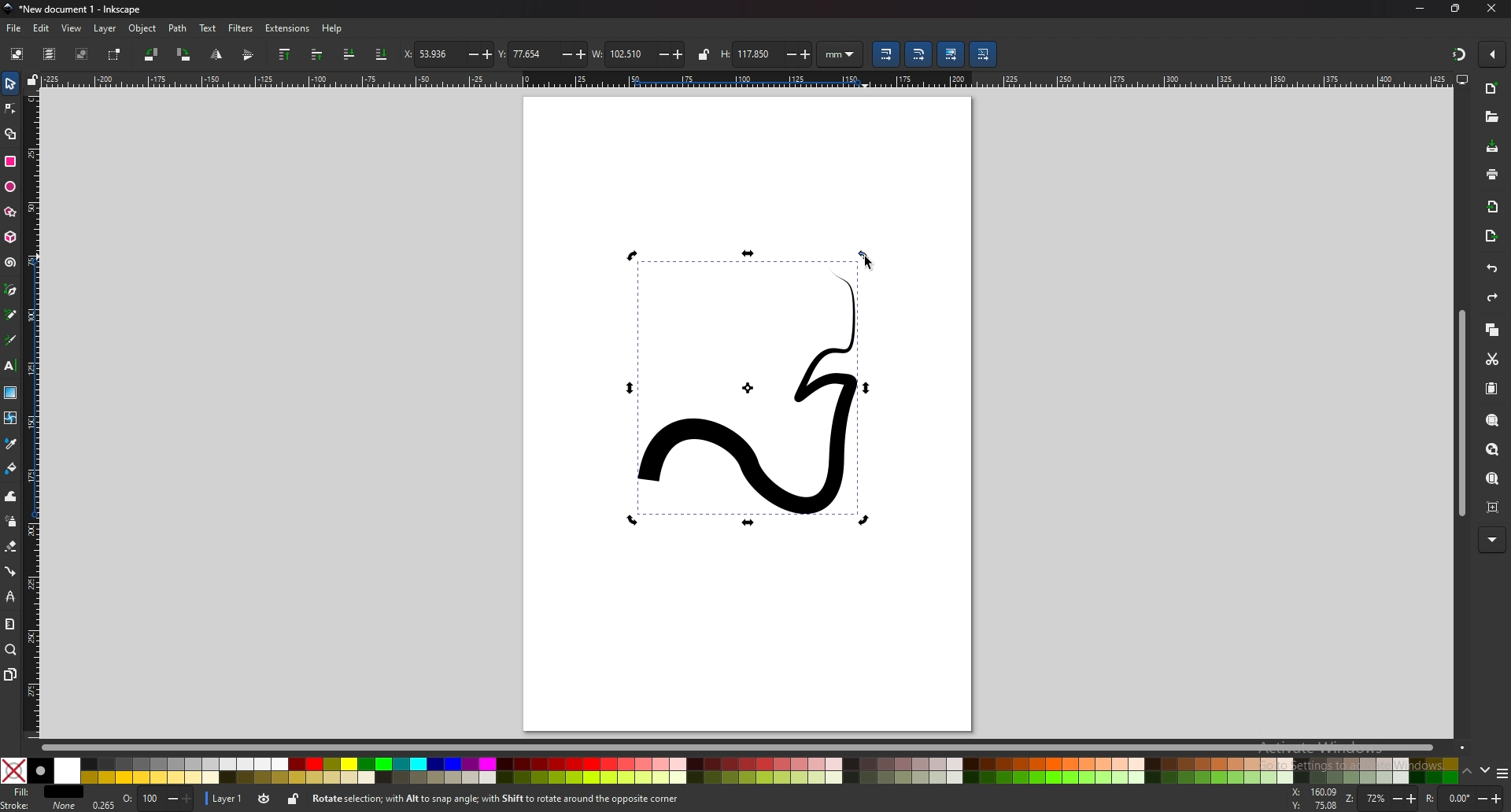 This screenshot has width=1511, height=812. What do you see at coordinates (78, 9) in the screenshot?
I see `title` at bounding box center [78, 9].